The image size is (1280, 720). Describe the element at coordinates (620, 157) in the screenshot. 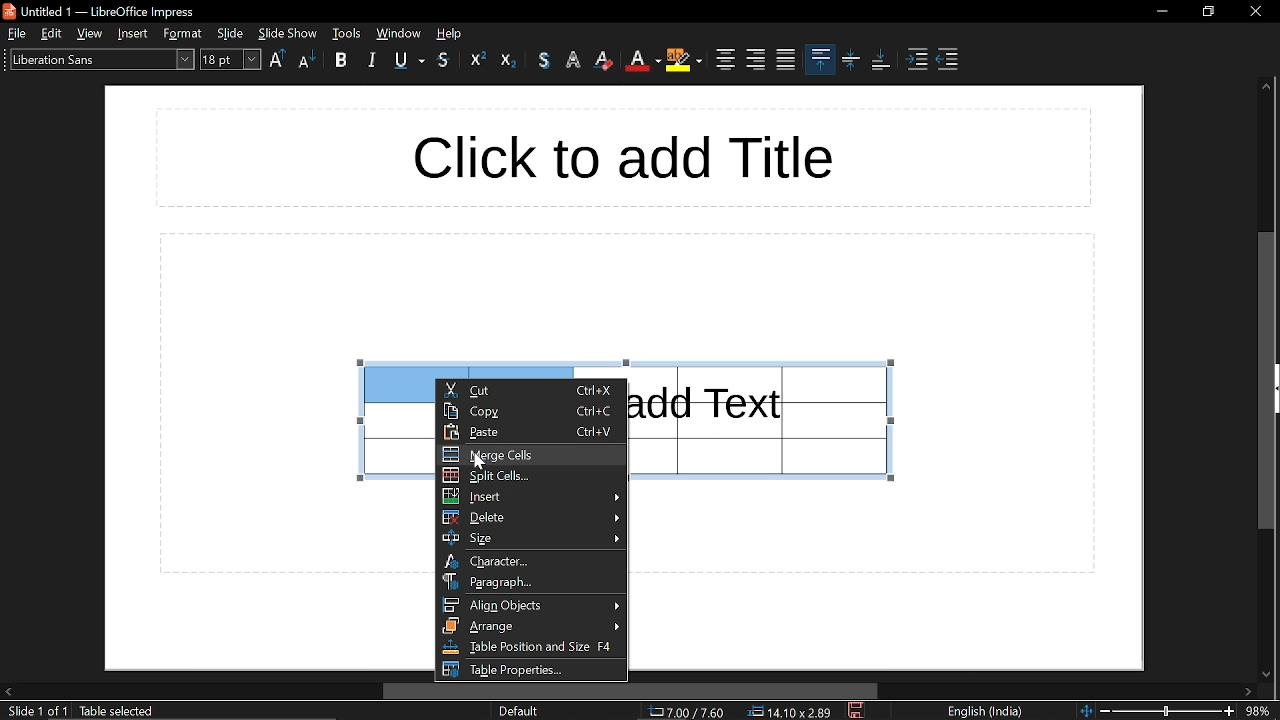

I see `title space` at that location.